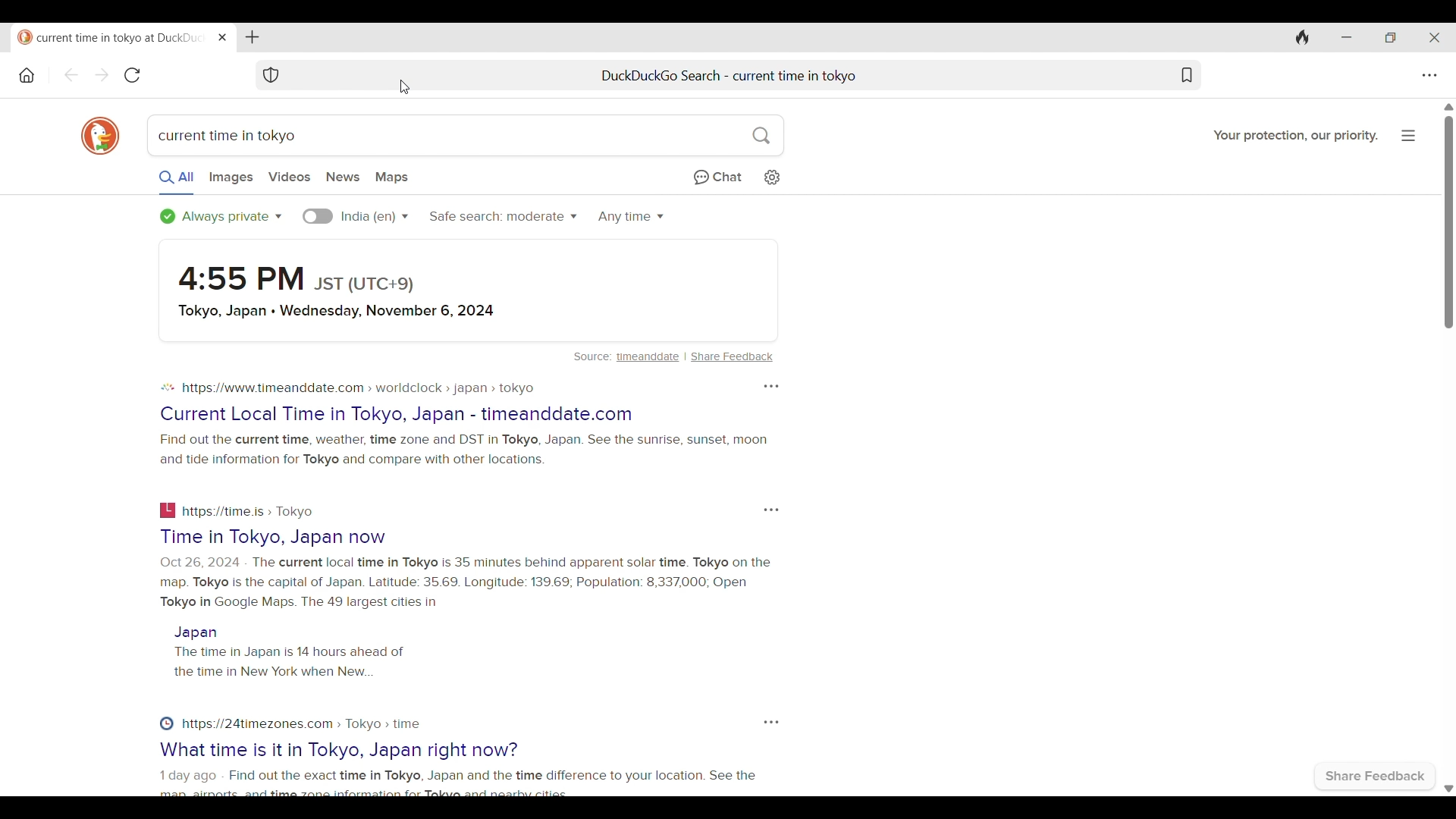 This screenshot has width=1456, height=819. Describe the element at coordinates (361, 388) in the screenshot. I see `https://www.timeanddate.com > worldclock > japan > tokyo` at that location.